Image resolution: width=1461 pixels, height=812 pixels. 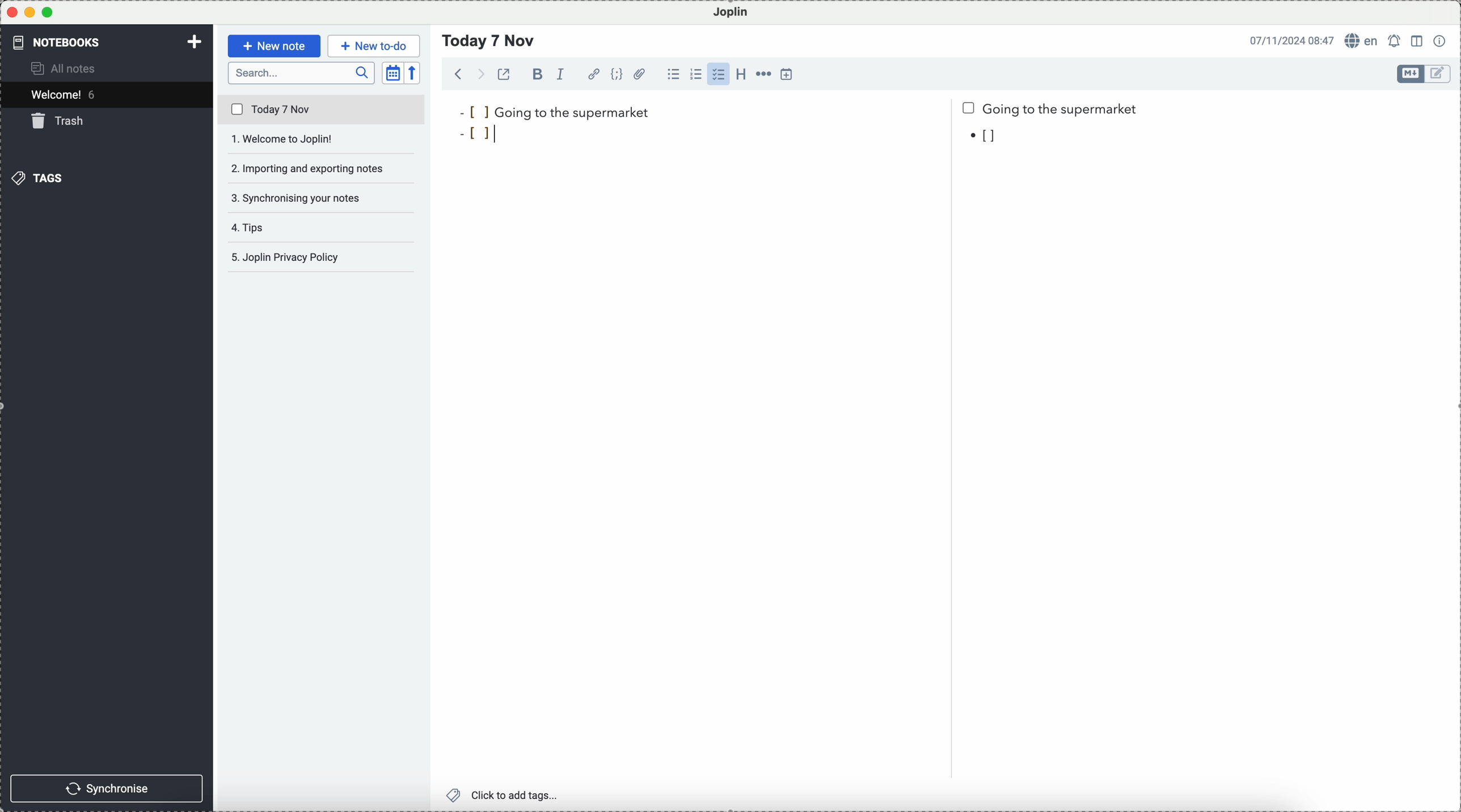 What do you see at coordinates (322, 110) in the screenshot?
I see `today 7 nov` at bounding box center [322, 110].